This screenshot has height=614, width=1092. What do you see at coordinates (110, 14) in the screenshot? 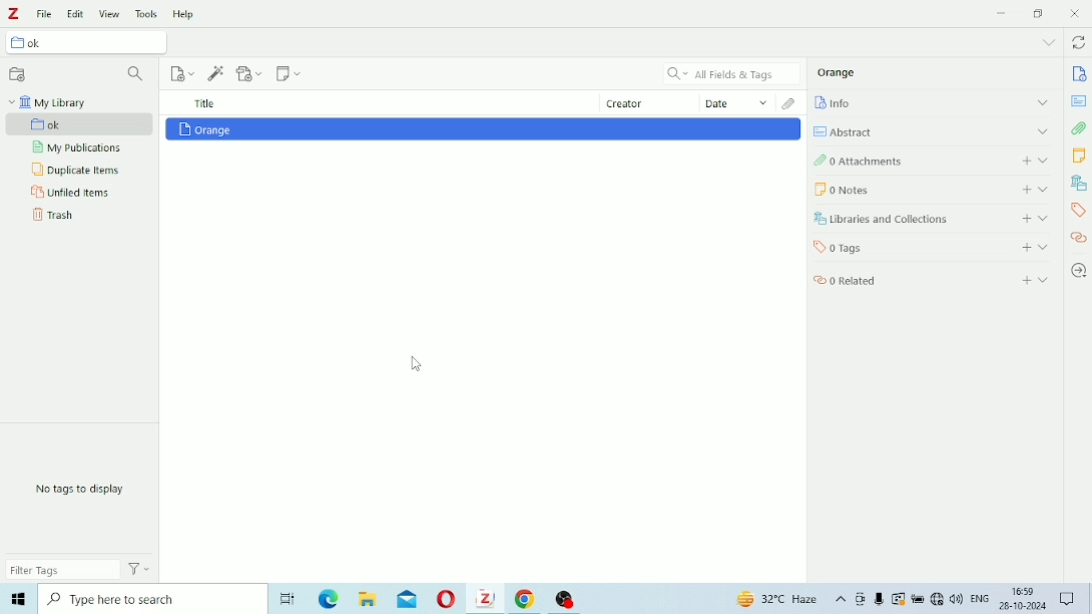
I see `View` at bounding box center [110, 14].